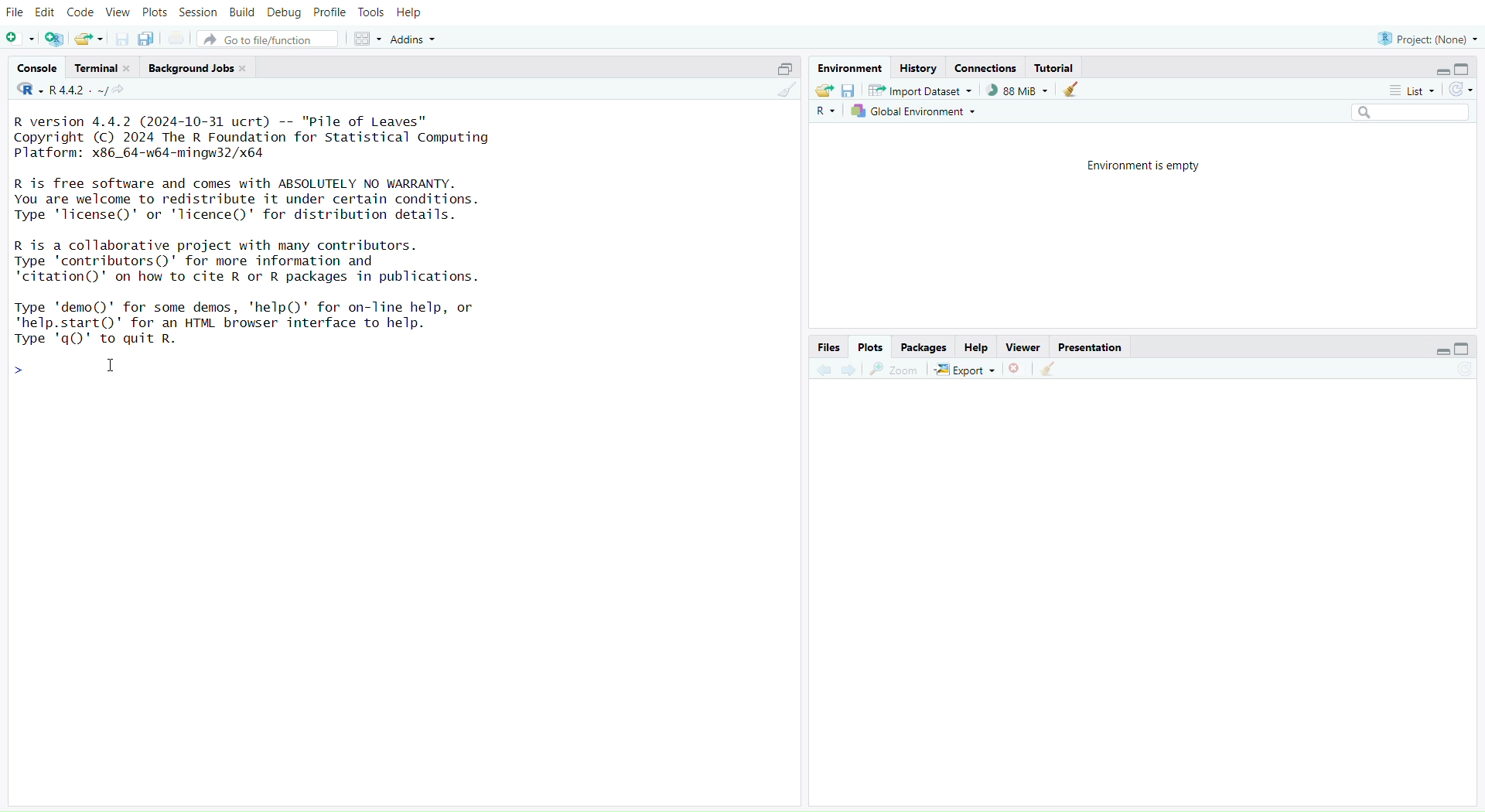 The height and width of the screenshot is (812, 1485). I want to click on tutorial, so click(1056, 69).